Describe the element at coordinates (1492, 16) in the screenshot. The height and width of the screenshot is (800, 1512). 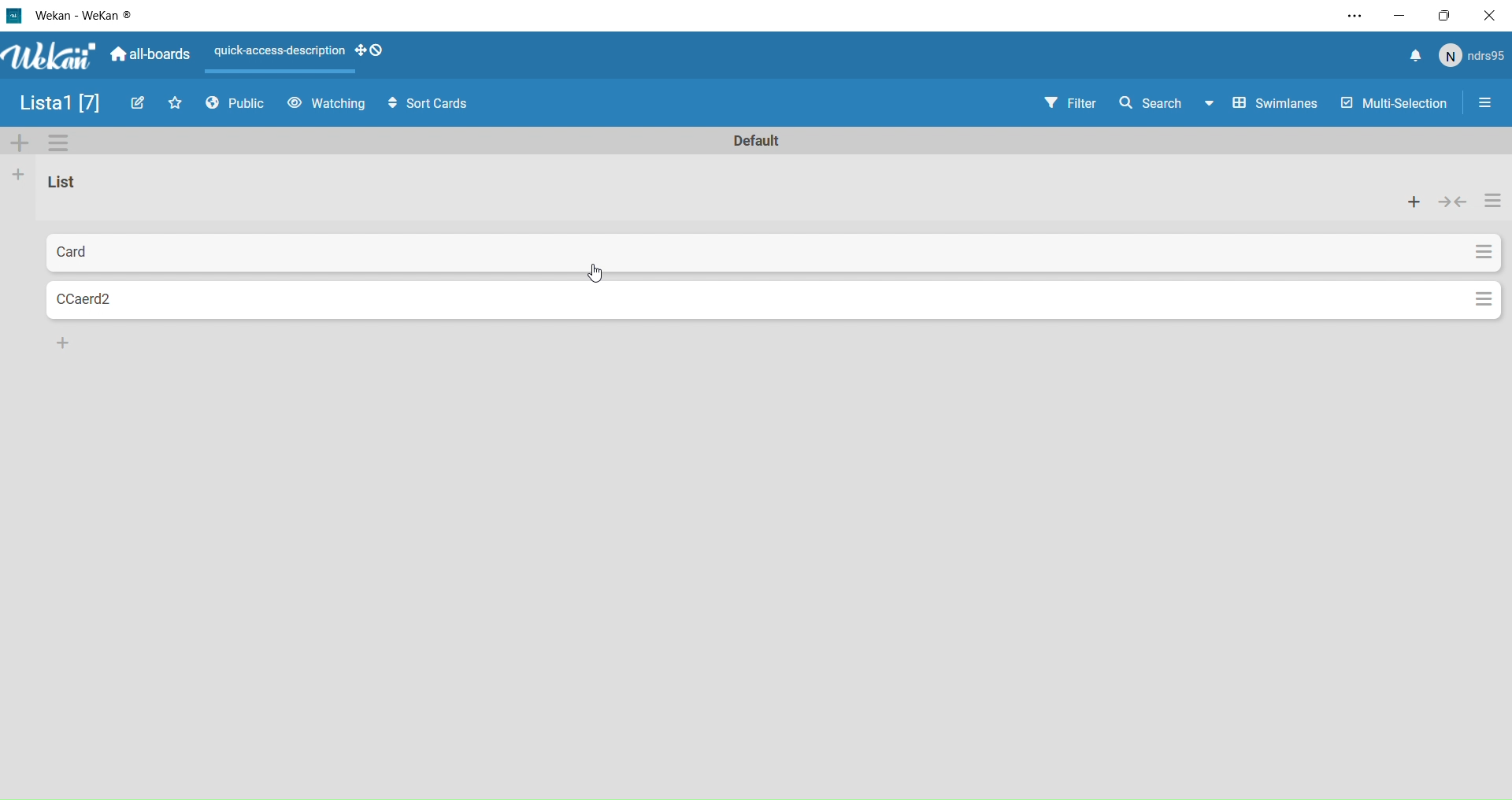
I see `Close` at that location.